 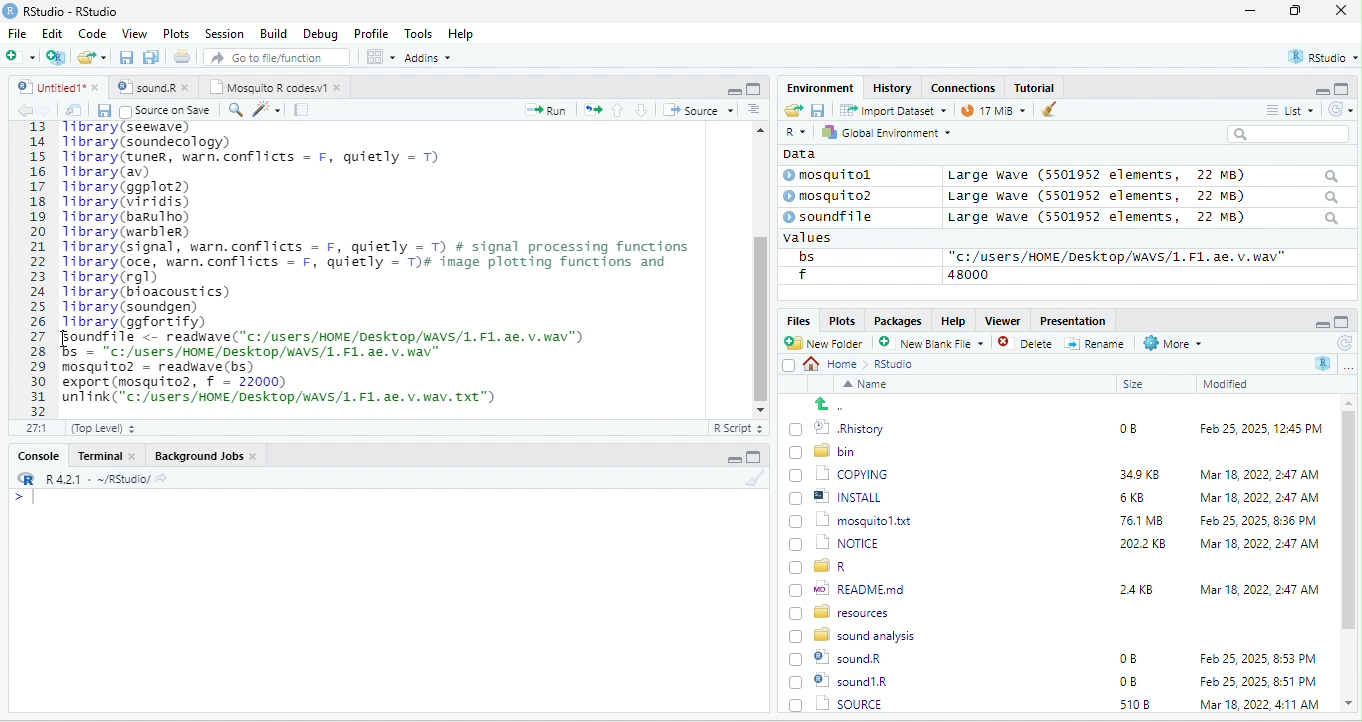 What do you see at coordinates (1227, 384) in the screenshot?
I see `Modified` at bounding box center [1227, 384].